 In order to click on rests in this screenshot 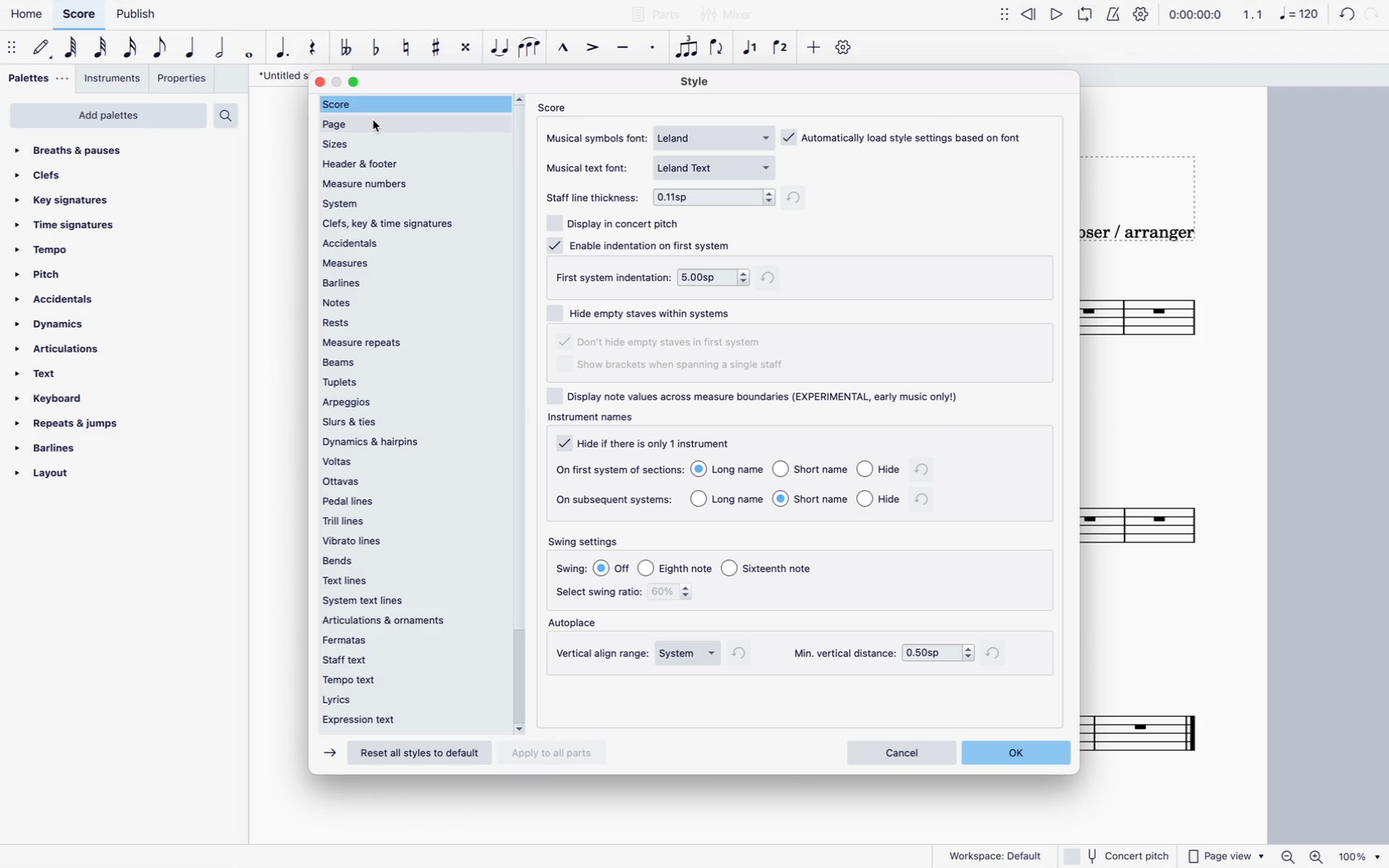, I will do `click(407, 322)`.